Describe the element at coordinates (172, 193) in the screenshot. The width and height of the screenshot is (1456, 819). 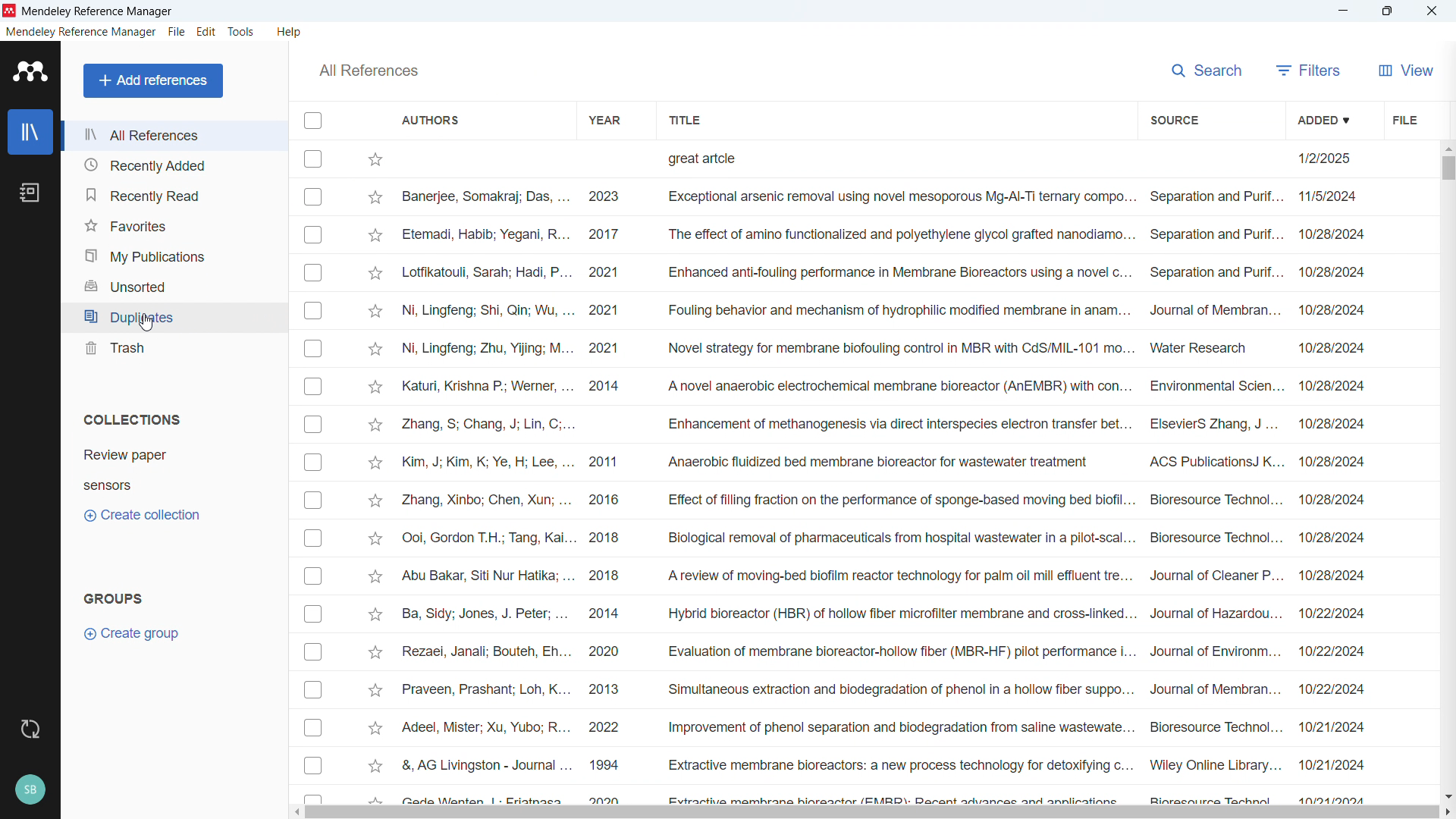
I see `Recently read ` at that location.